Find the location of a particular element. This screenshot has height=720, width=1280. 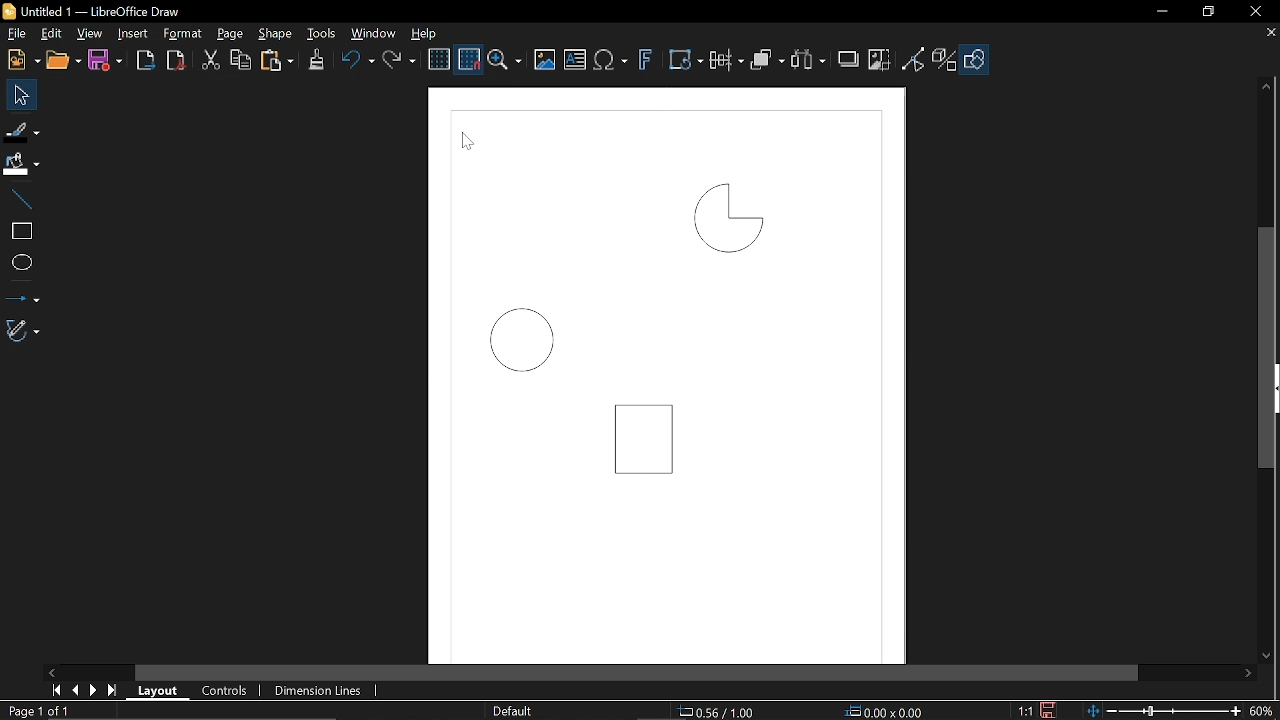

Shapes is located at coordinates (978, 60).